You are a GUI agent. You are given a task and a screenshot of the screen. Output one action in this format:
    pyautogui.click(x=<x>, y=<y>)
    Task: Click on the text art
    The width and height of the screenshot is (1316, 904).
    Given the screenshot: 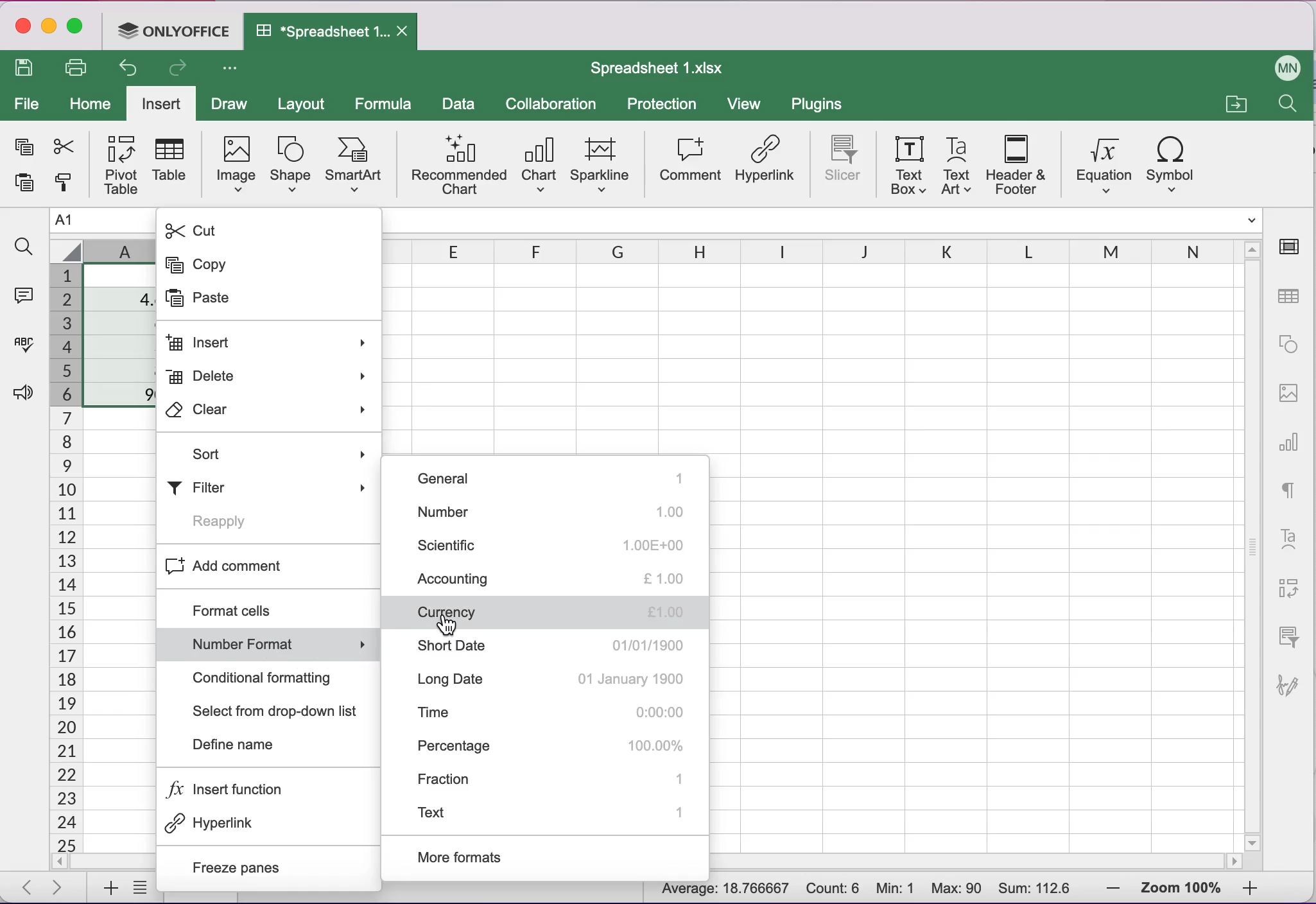 What is the action you would take?
    pyautogui.click(x=956, y=166)
    